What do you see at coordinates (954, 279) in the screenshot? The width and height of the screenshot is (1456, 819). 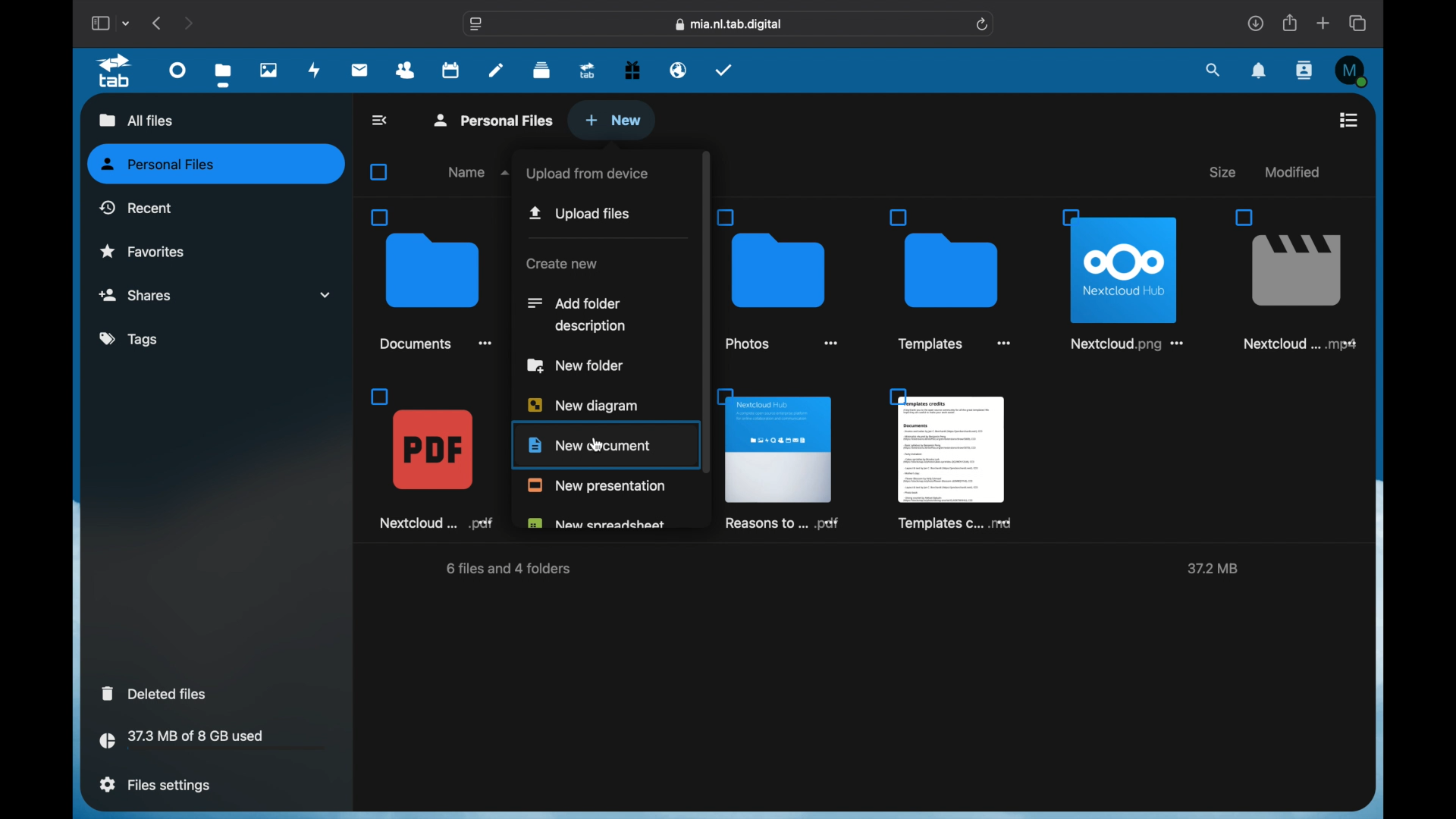 I see `folder` at bounding box center [954, 279].